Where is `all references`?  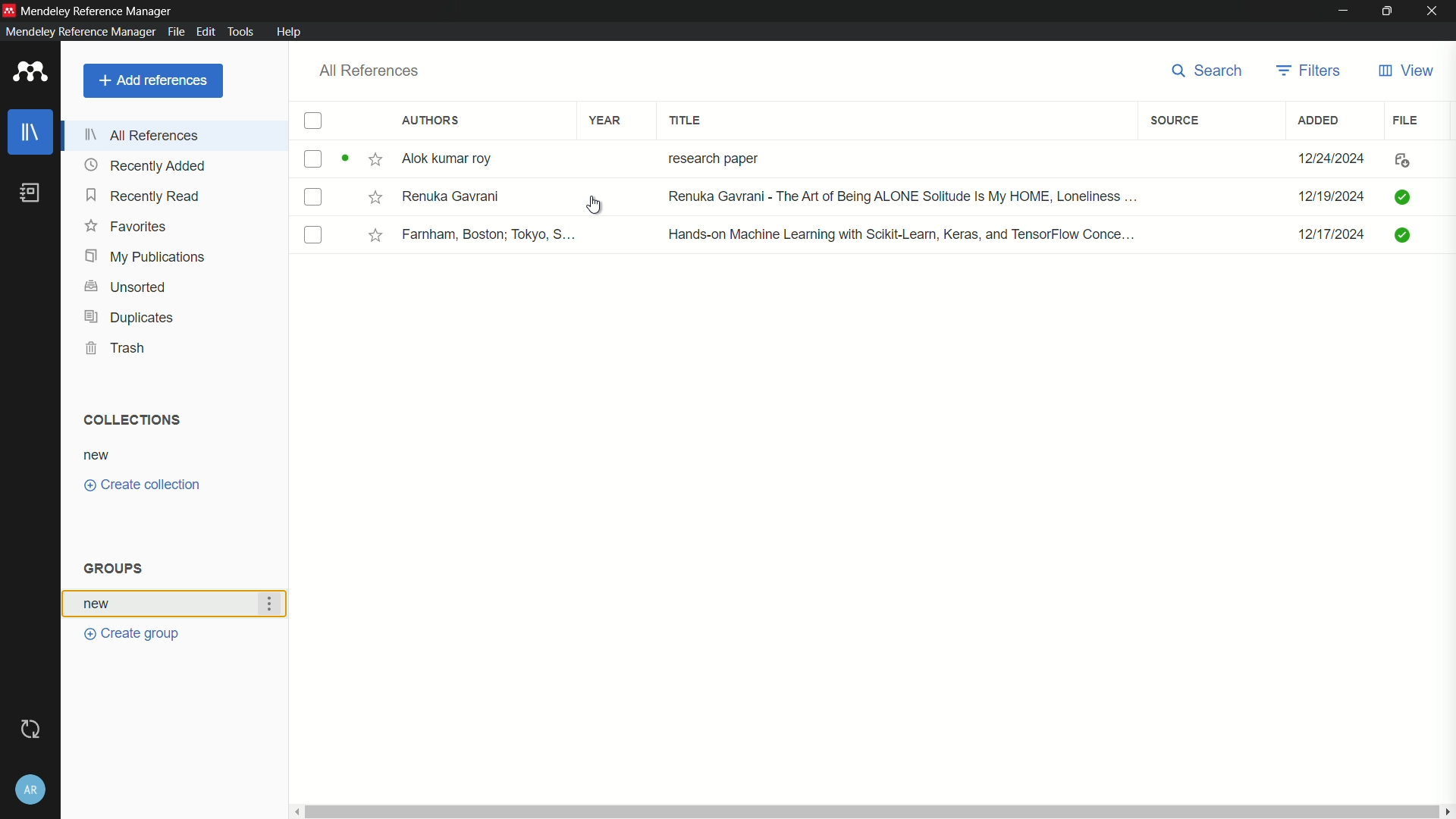 all references is located at coordinates (369, 71).